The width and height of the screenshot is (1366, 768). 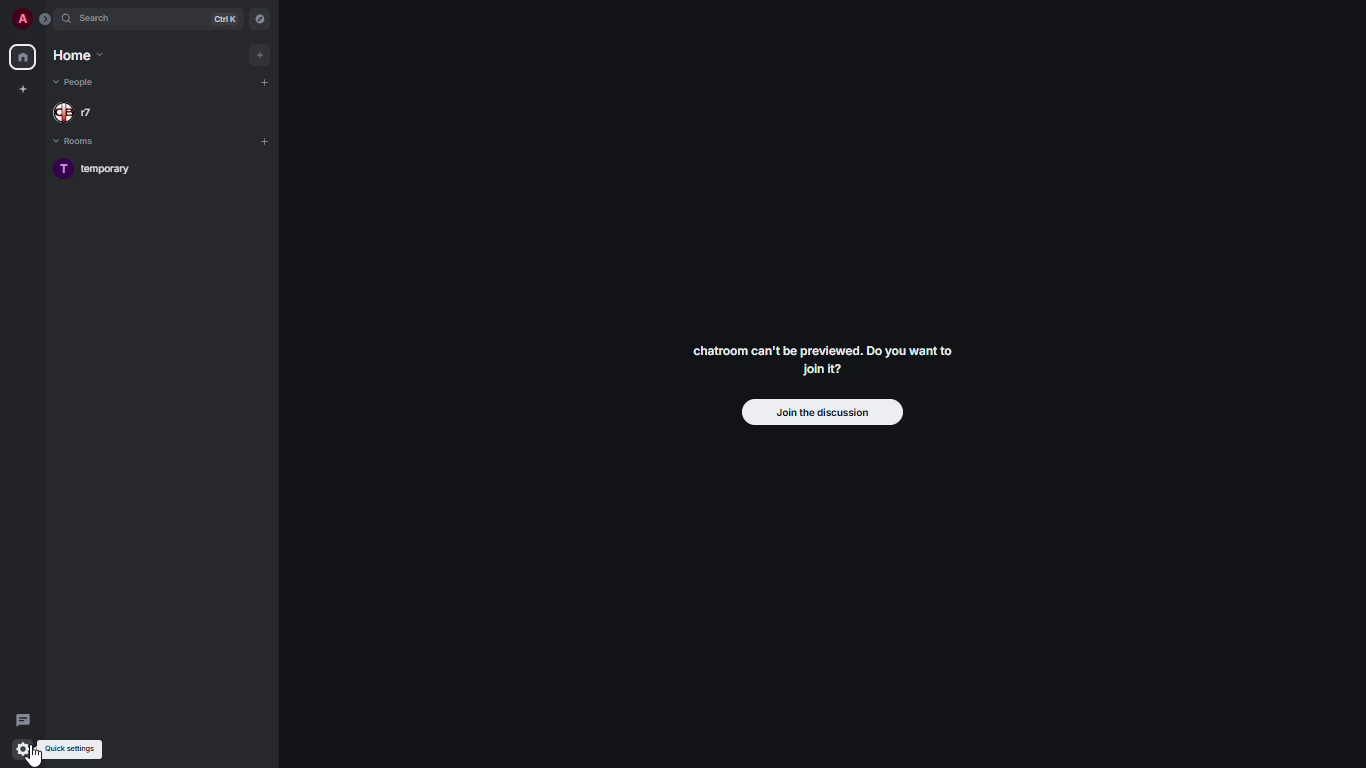 I want to click on home, so click(x=24, y=56).